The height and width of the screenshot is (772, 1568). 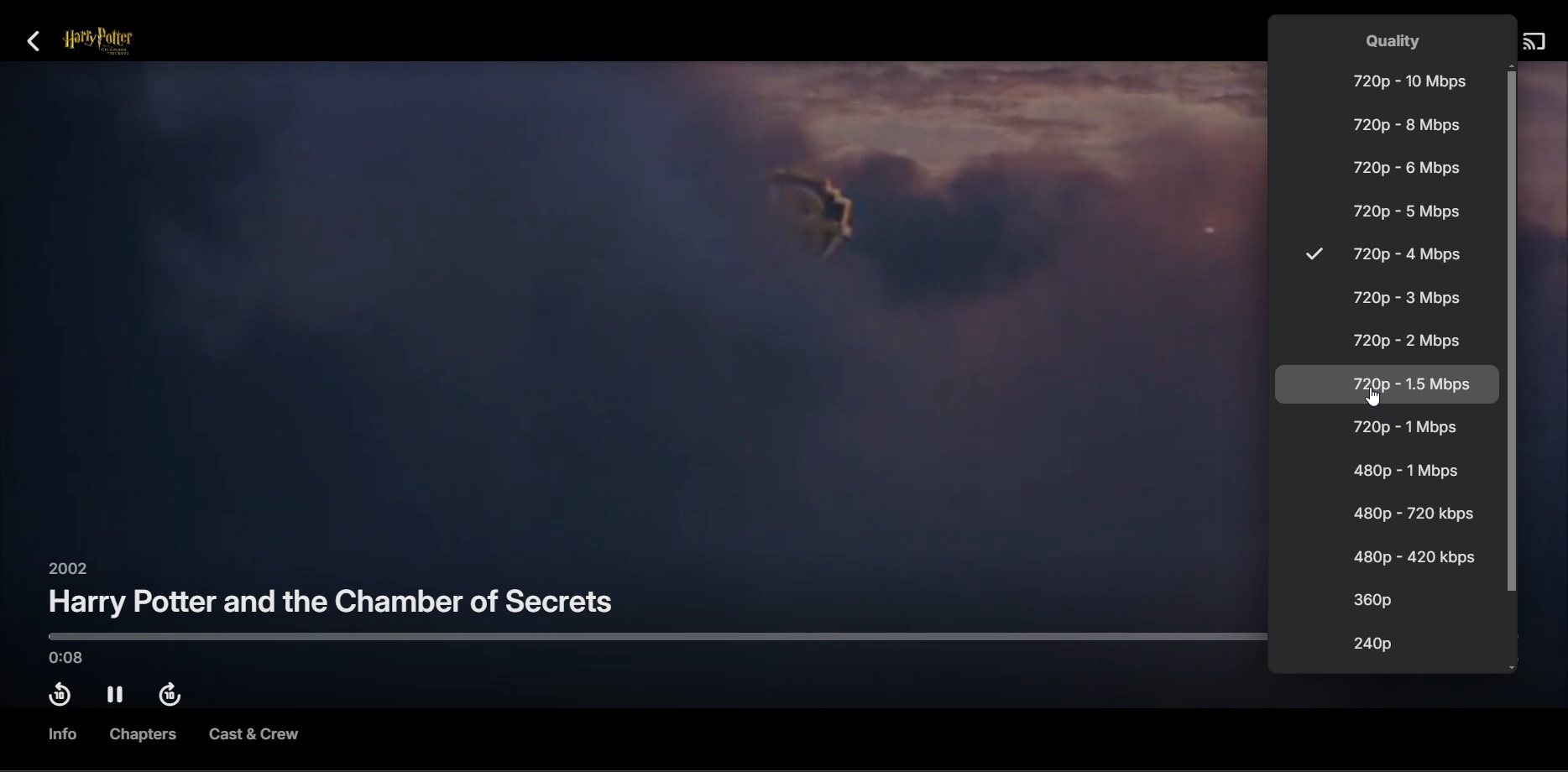 What do you see at coordinates (58, 697) in the screenshot?
I see `Rewind` at bounding box center [58, 697].